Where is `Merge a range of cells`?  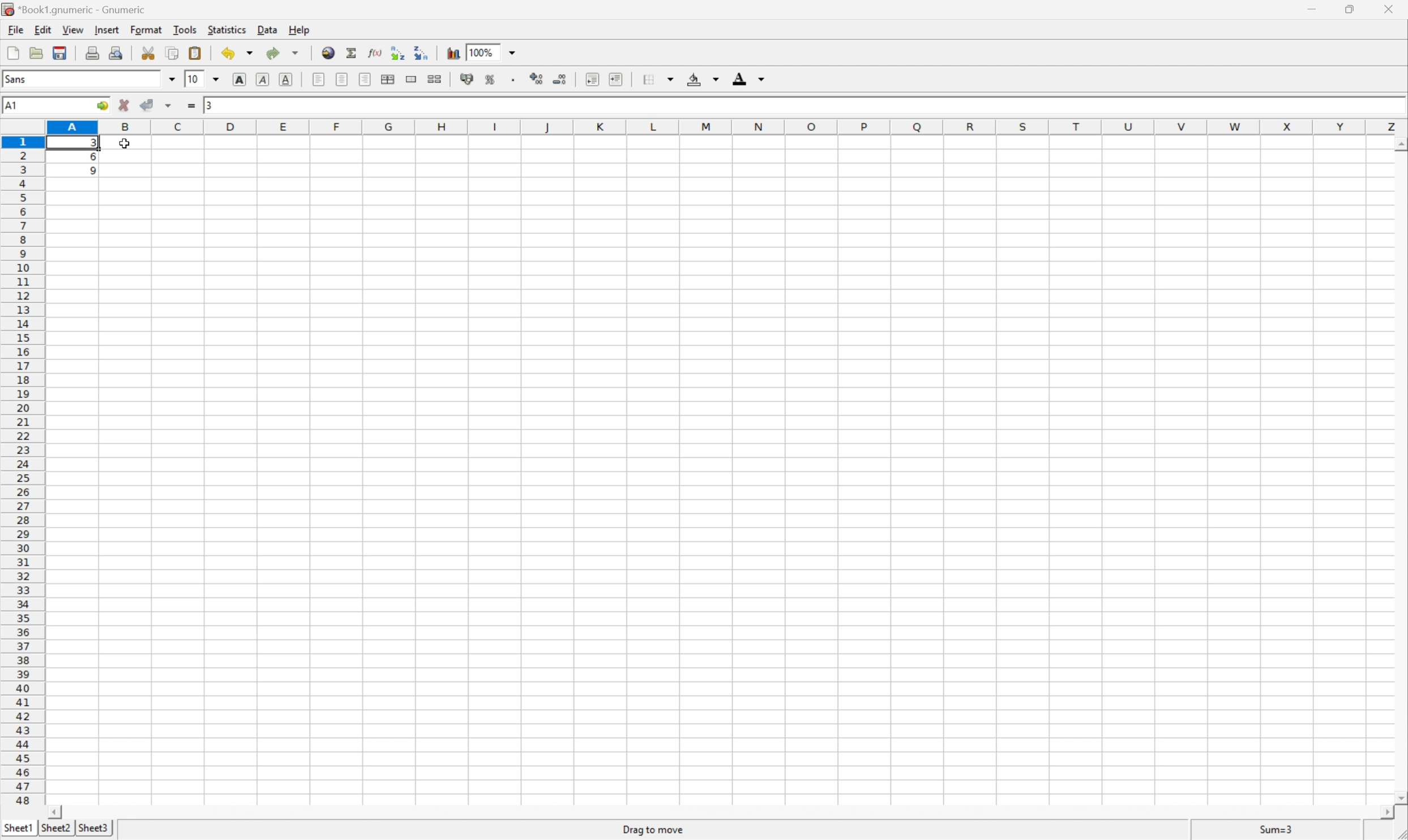 Merge a range of cells is located at coordinates (411, 79).